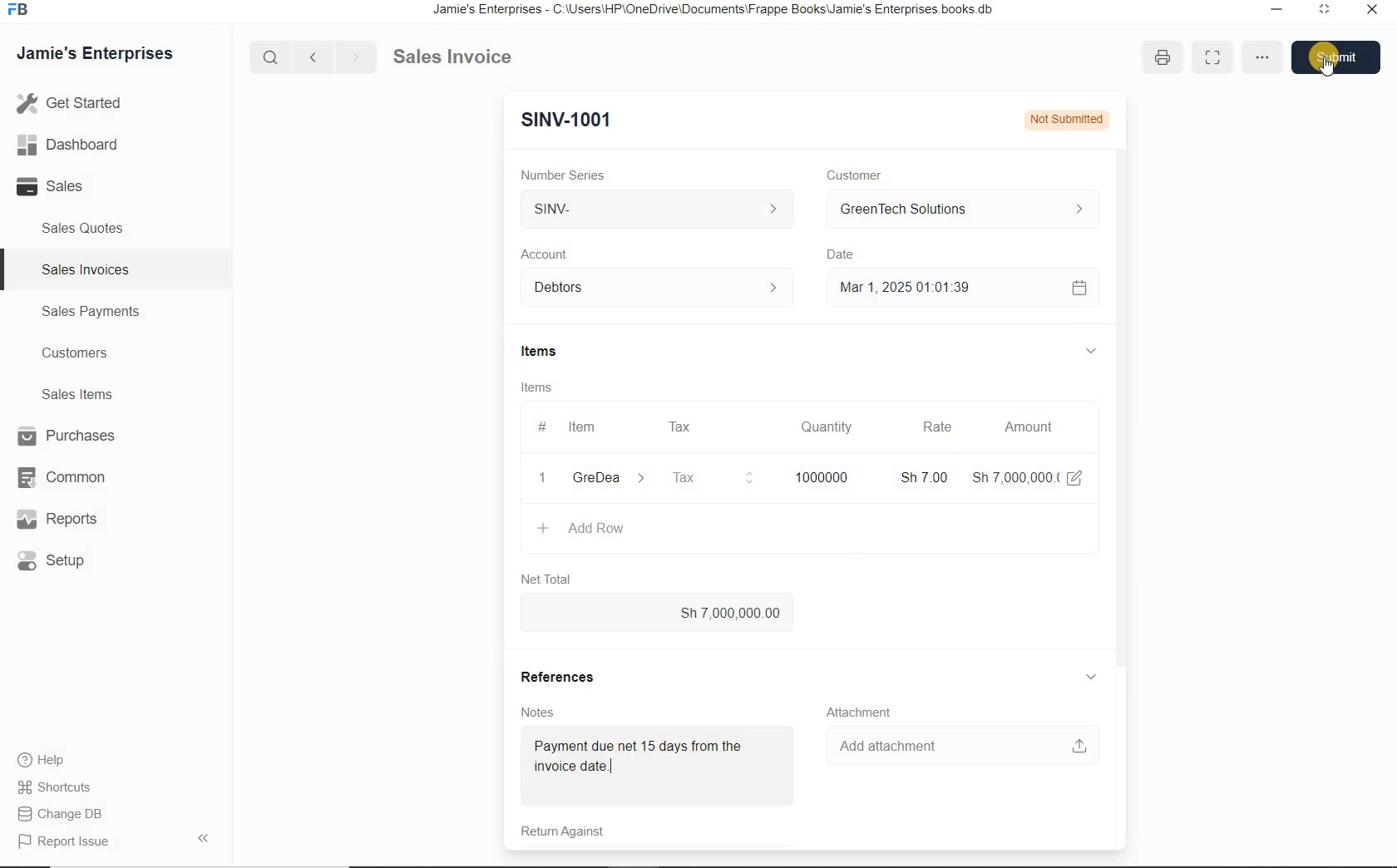 The image size is (1397, 868). Describe the element at coordinates (62, 436) in the screenshot. I see `Purchases` at that location.